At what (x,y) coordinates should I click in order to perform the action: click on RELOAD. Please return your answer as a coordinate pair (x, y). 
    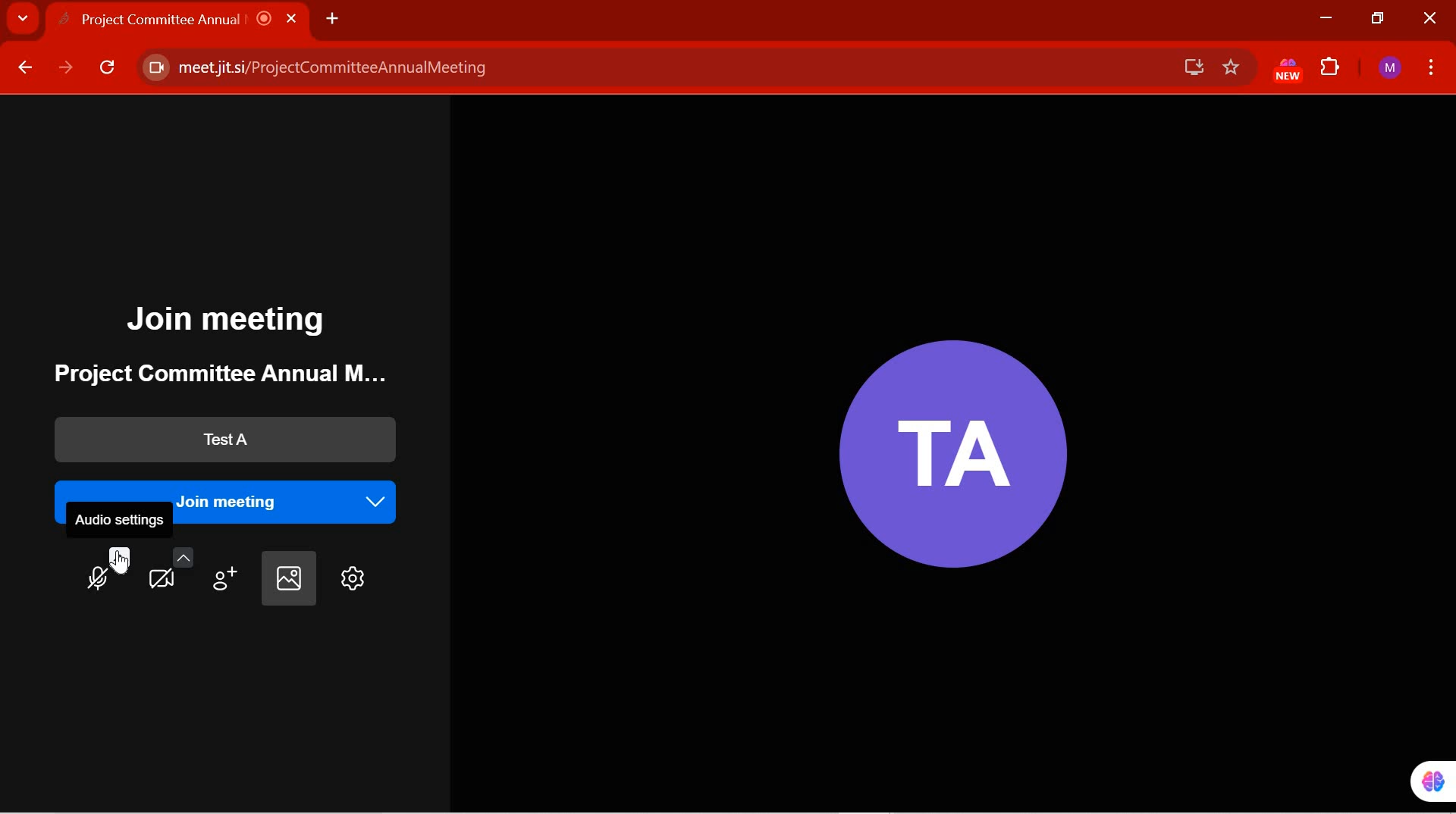
    Looking at the image, I should click on (108, 70).